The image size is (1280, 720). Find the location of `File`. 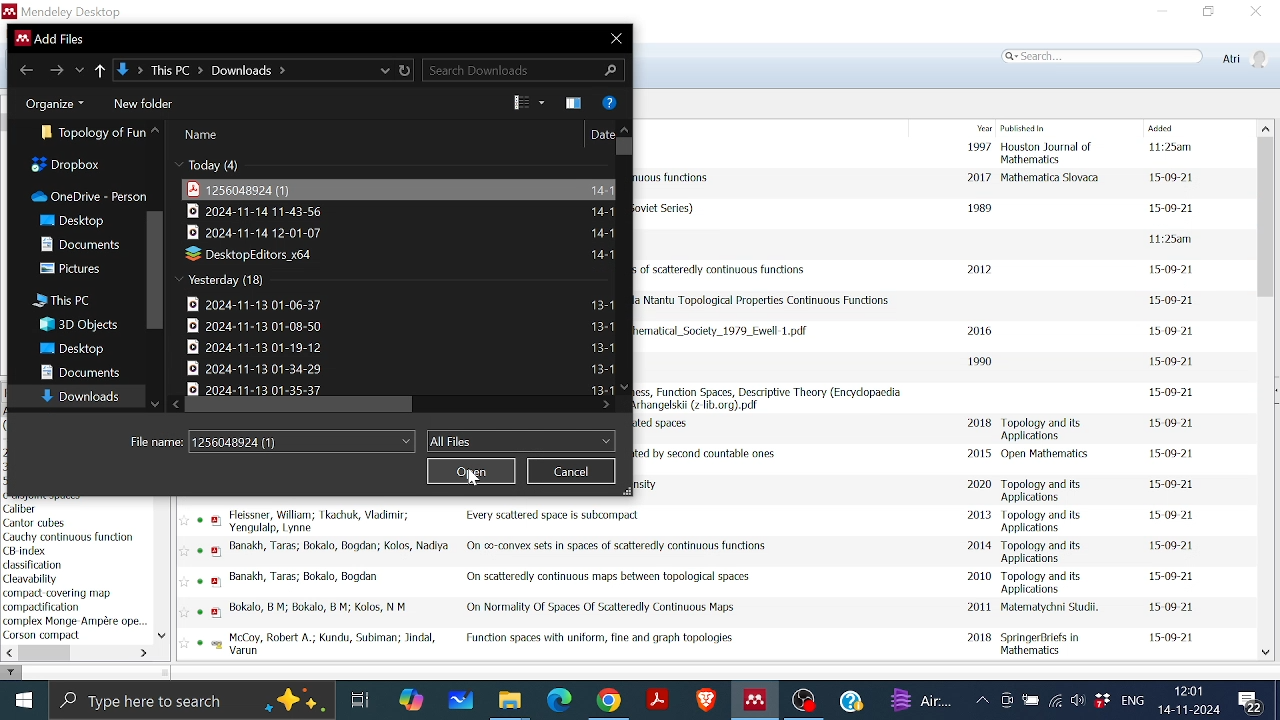

File is located at coordinates (257, 234).